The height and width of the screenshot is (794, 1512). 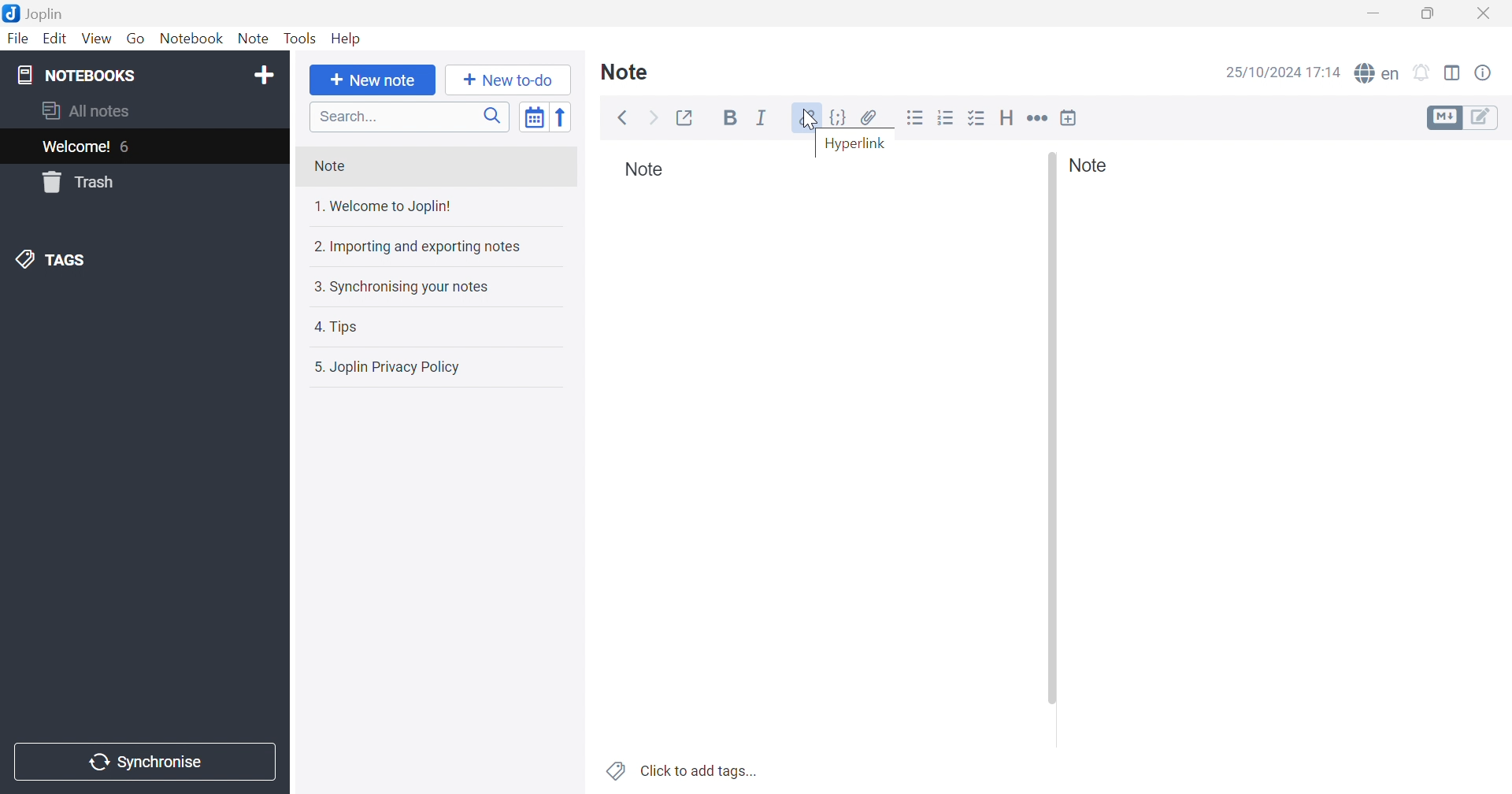 I want to click on Back, so click(x=624, y=118).